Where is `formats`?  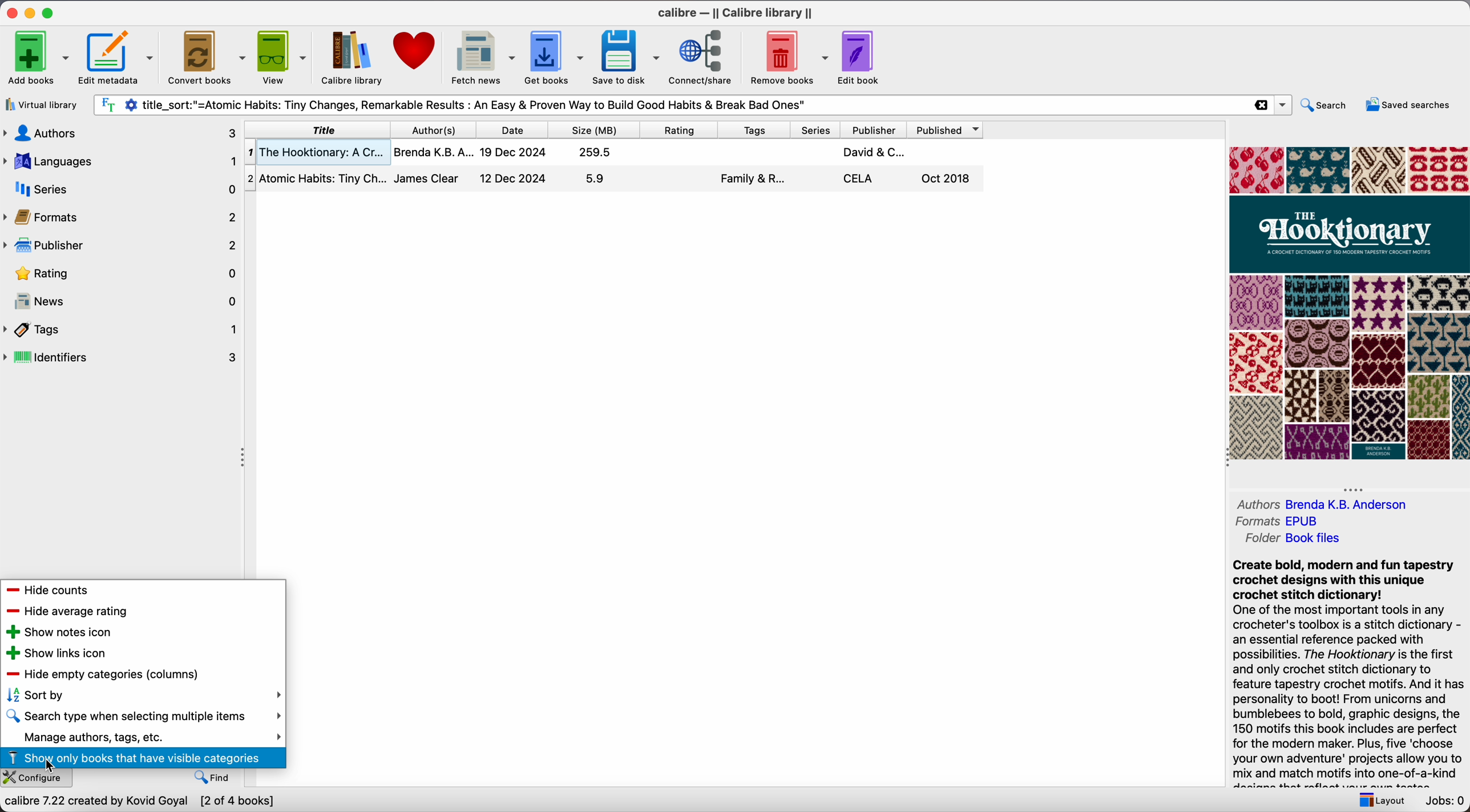 formats is located at coordinates (122, 218).